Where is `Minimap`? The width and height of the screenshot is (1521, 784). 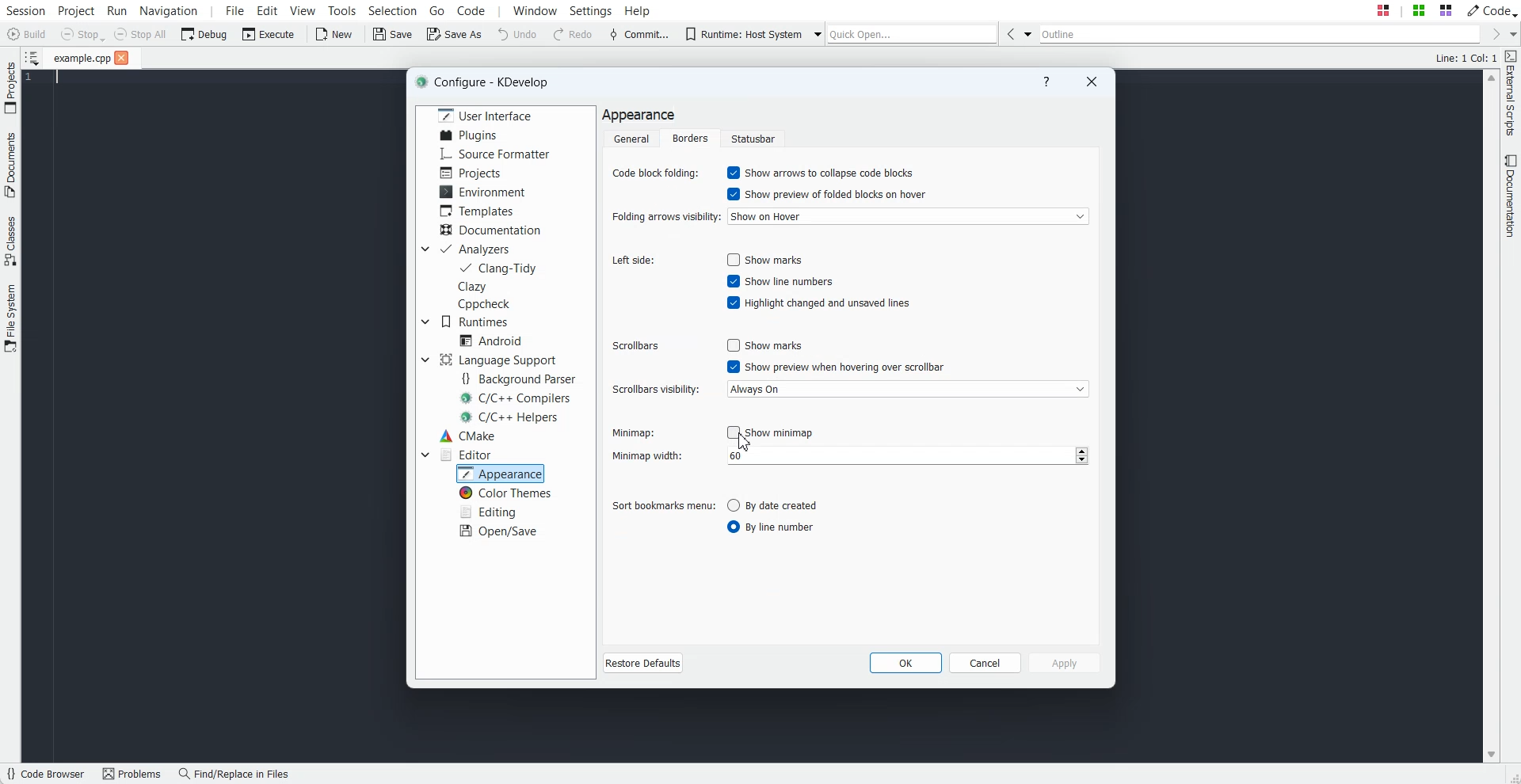
Minimap is located at coordinates (633, 433).